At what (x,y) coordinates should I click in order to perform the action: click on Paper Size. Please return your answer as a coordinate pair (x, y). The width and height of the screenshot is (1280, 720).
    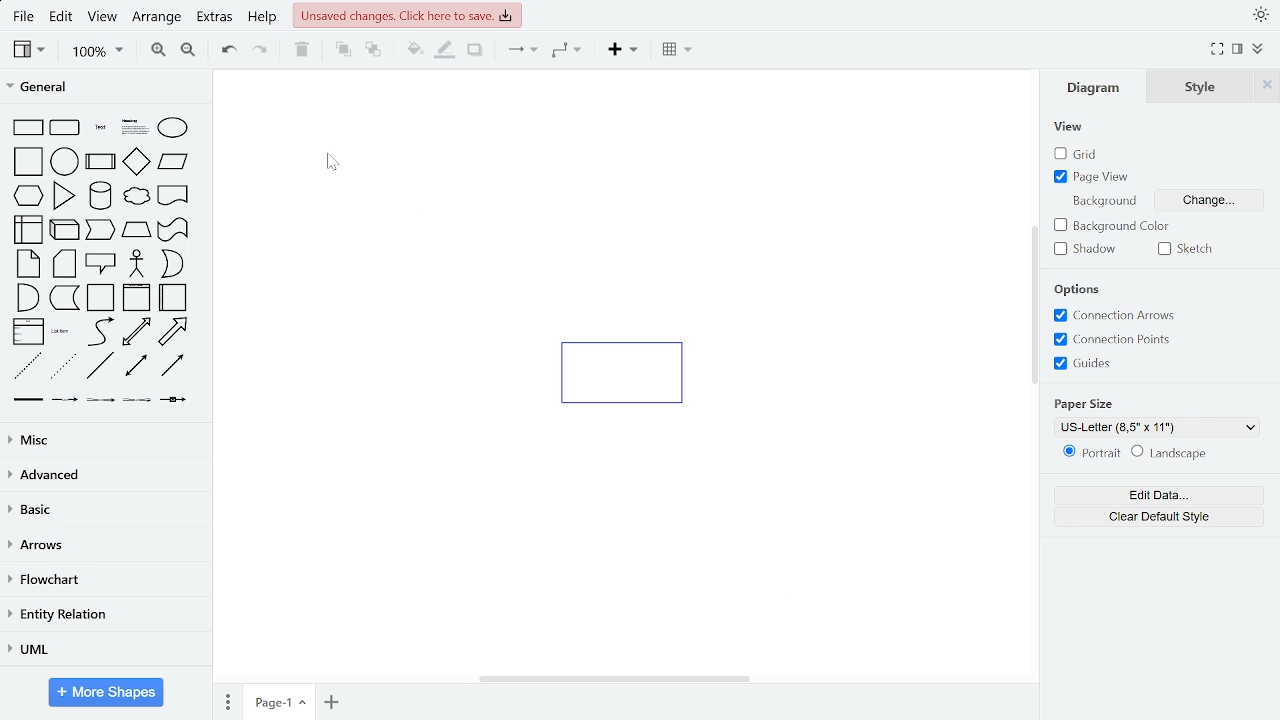
    Looking at the image, I should click on (1090, 400).